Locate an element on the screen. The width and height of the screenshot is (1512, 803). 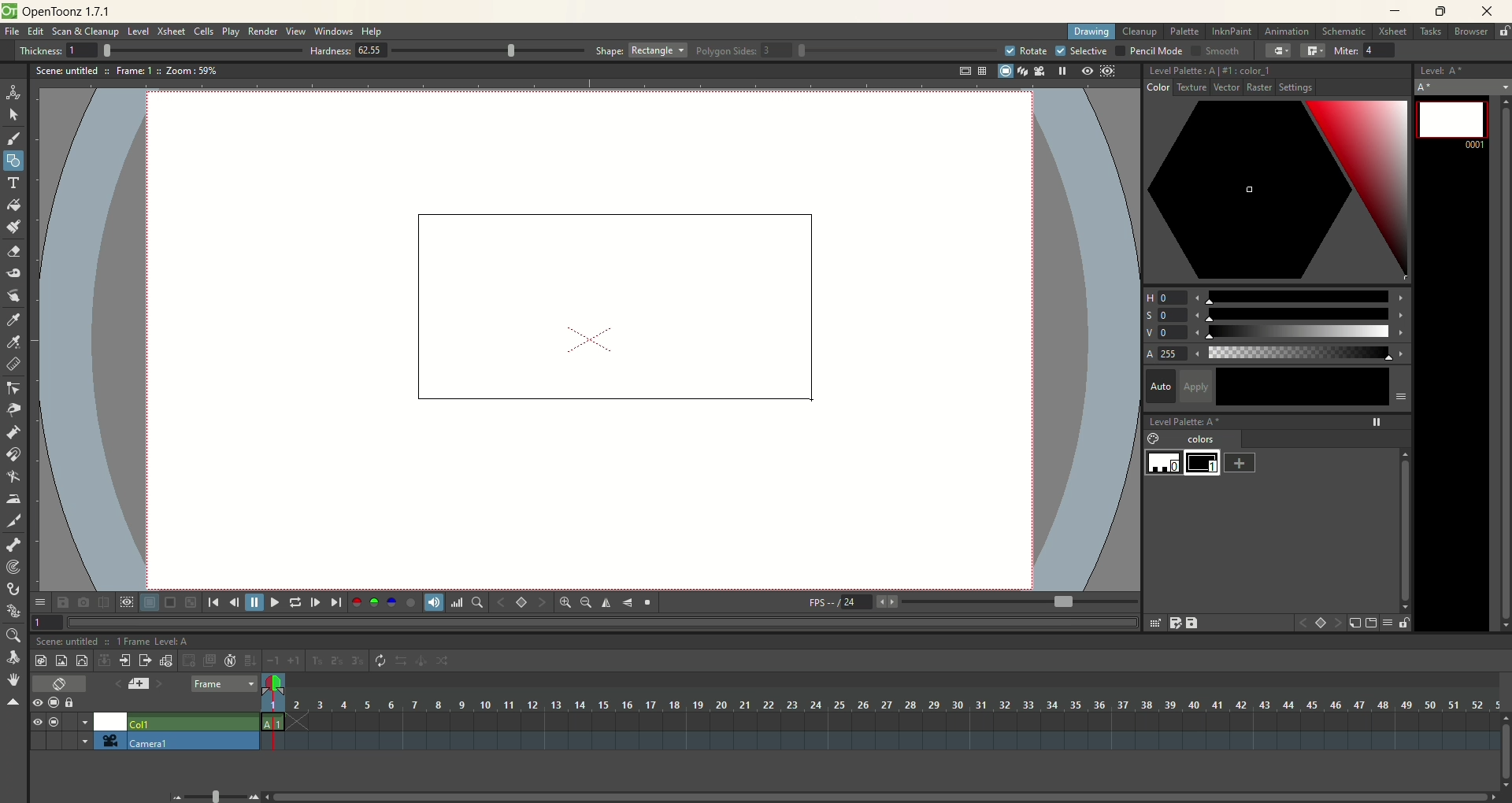
scene untitled :: 1 Frame level : A is located at coordinates (117, 641).